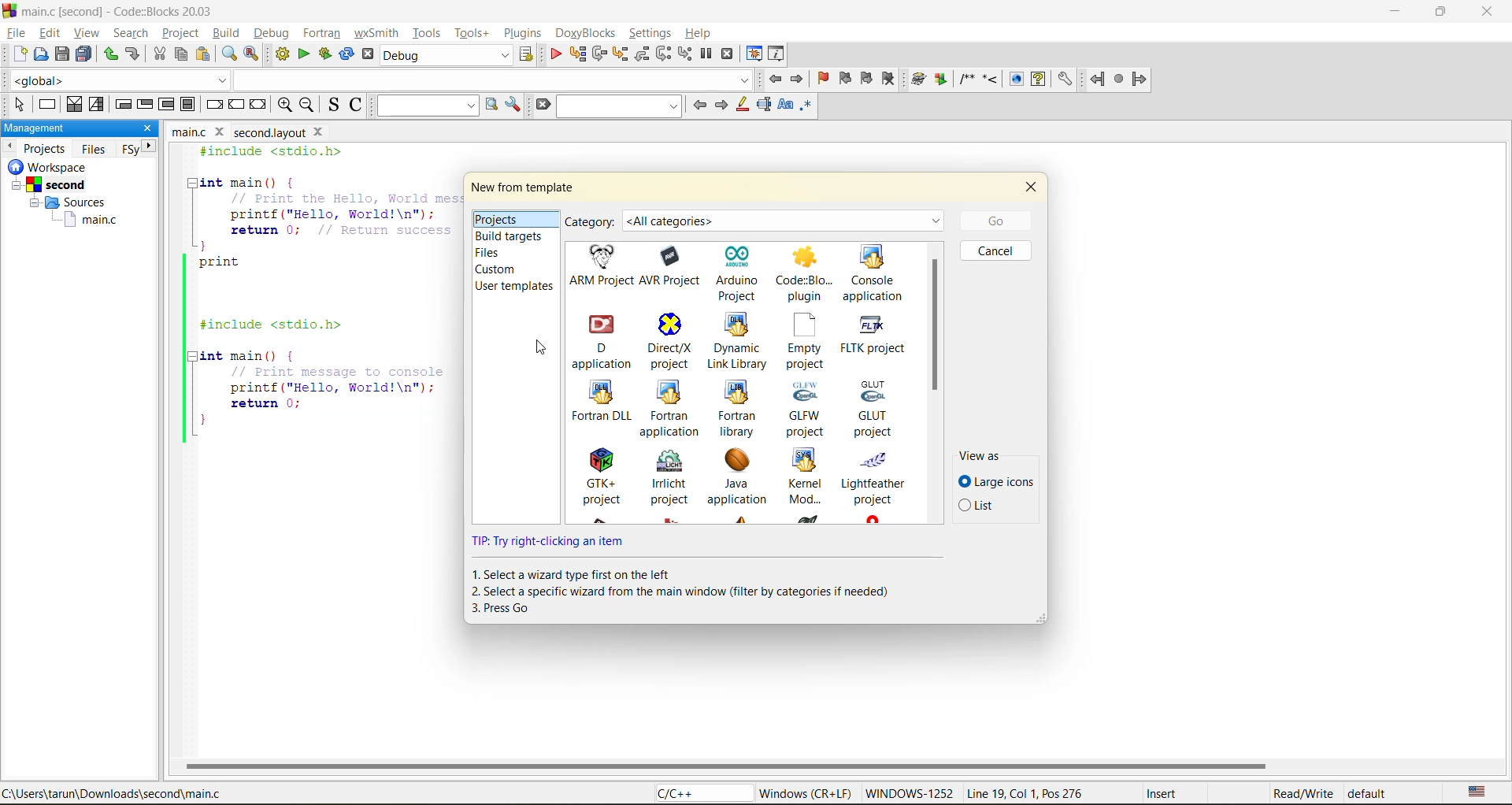  Describe the element at coordinates (447, 57) in the screenshot. I see `build target` at that location.